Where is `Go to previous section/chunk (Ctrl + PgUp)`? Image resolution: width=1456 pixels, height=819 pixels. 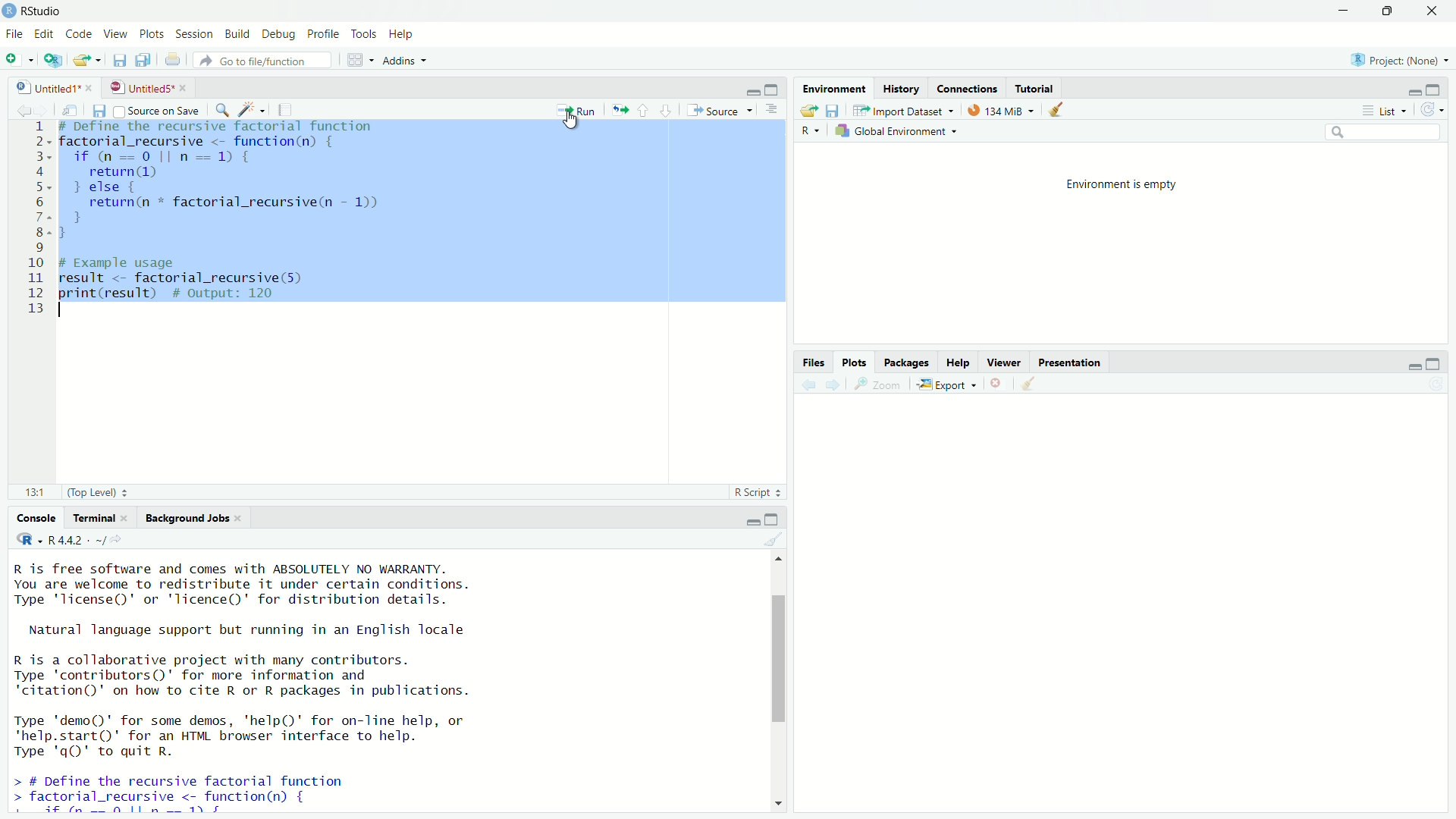 Go to previous section/chunk (Ctrl + PgUp) is located at coordinates (645, 109).